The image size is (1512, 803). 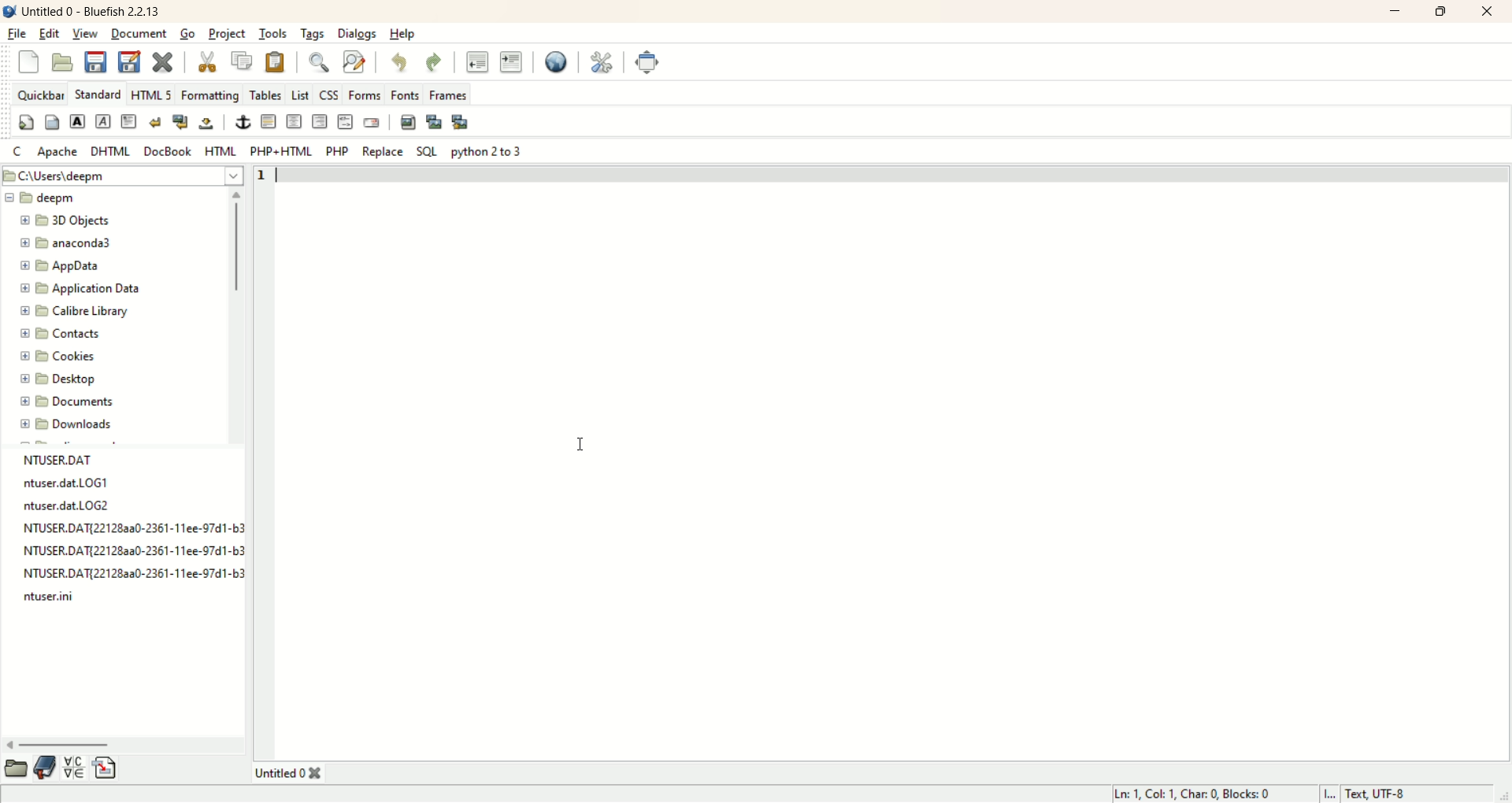 What do you see at coordinates (92, 9) in the screenshot?
I see `title` at bounding box center [92, 9].